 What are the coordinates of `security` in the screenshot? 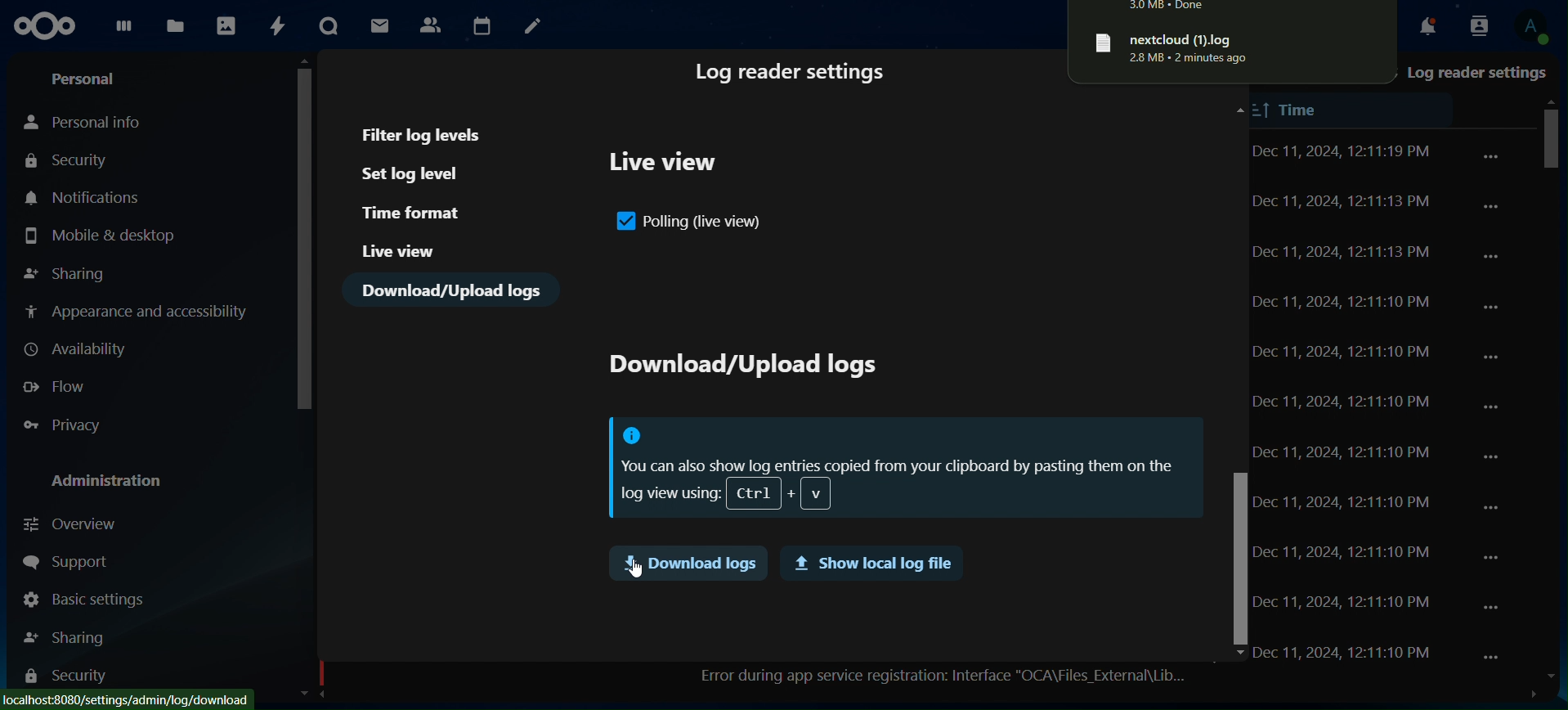 It's located at (65, 679).